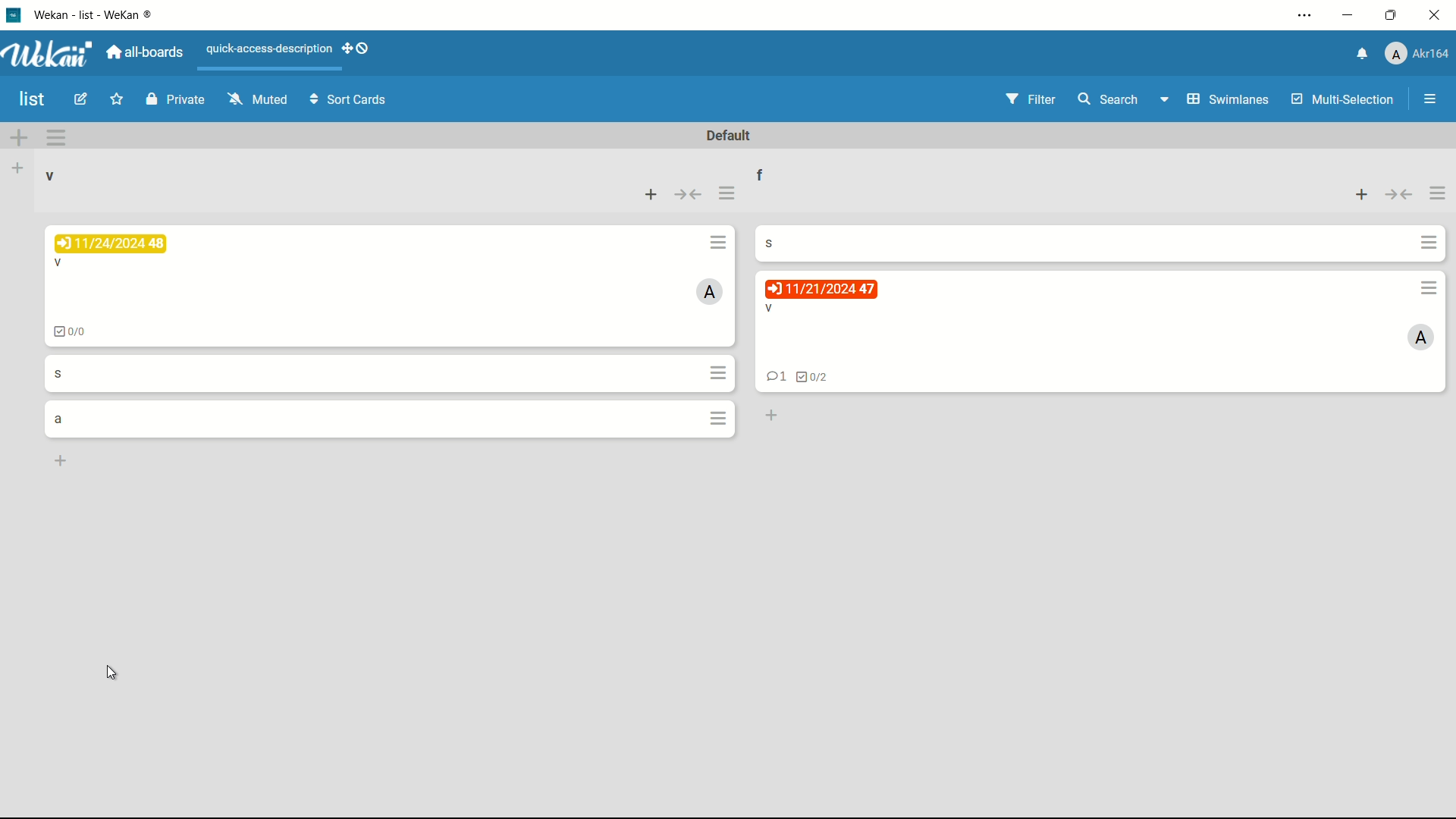  Describe the element at coordinates (58, 372) in the screenshot. I see `card name` at that location.